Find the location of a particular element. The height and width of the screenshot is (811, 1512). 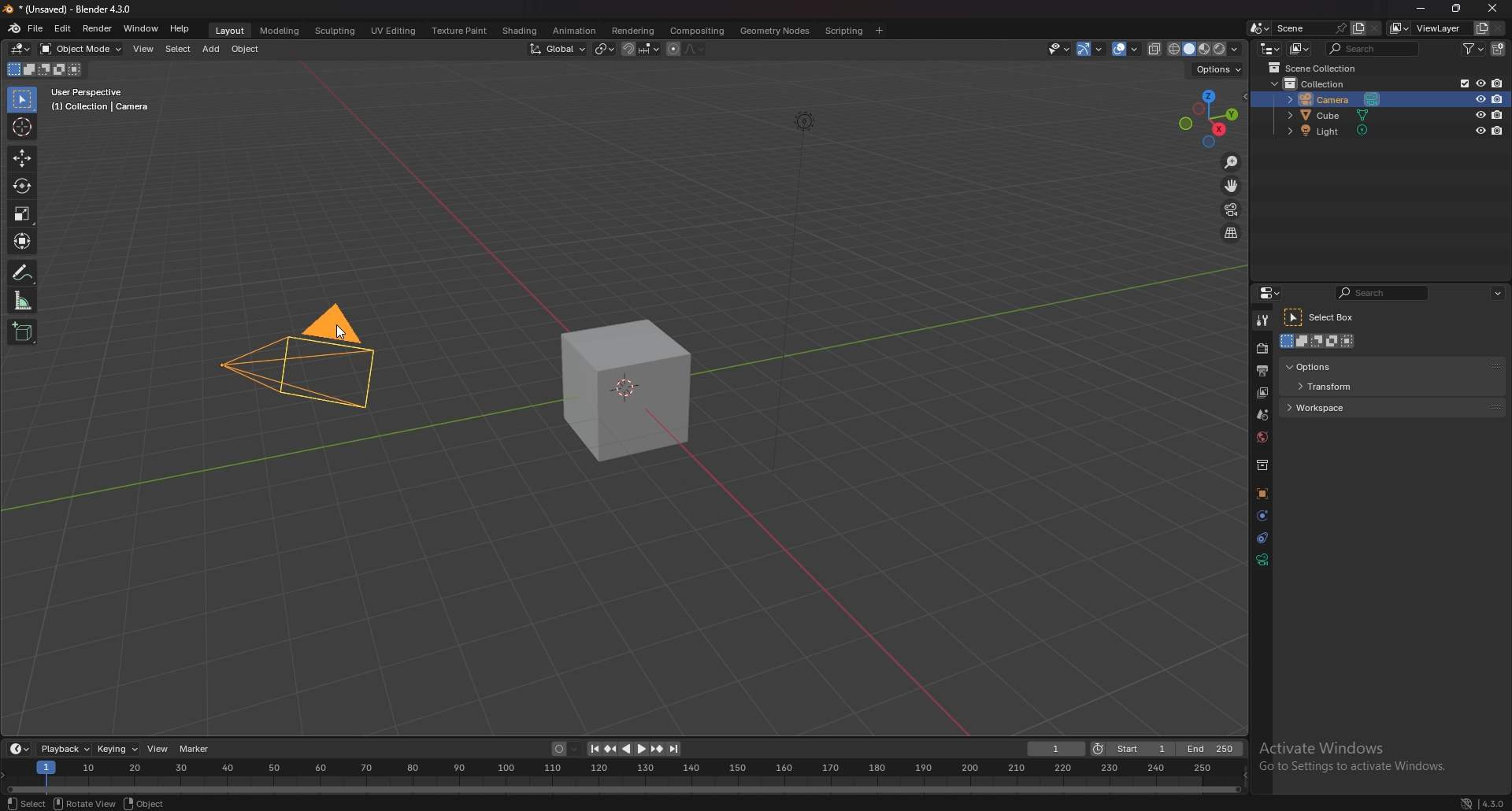

view is located at coordinates (157, 749).